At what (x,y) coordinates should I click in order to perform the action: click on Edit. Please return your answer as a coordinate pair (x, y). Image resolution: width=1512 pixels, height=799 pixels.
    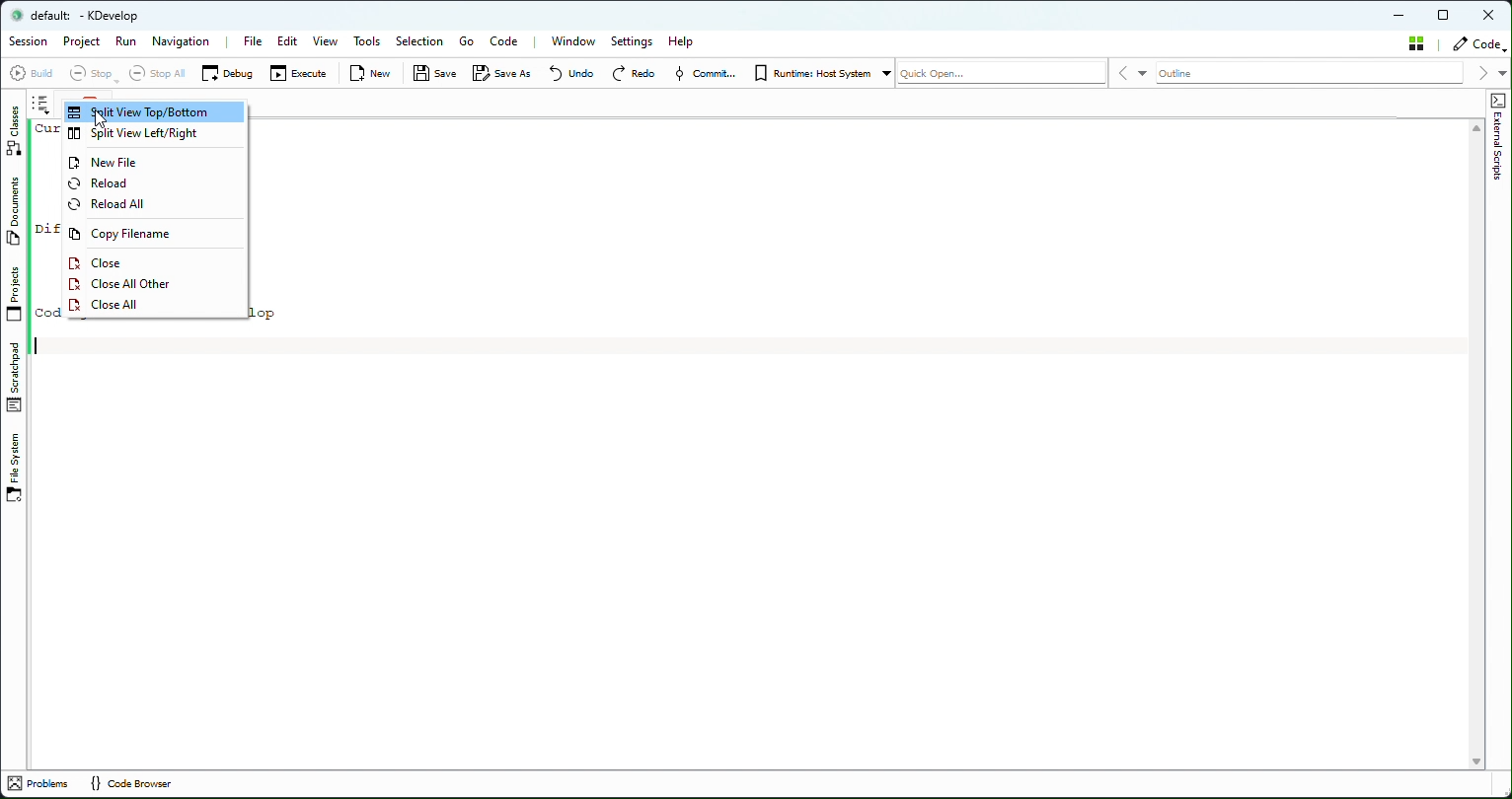
    Looking at the image, I should click on (287, 41).